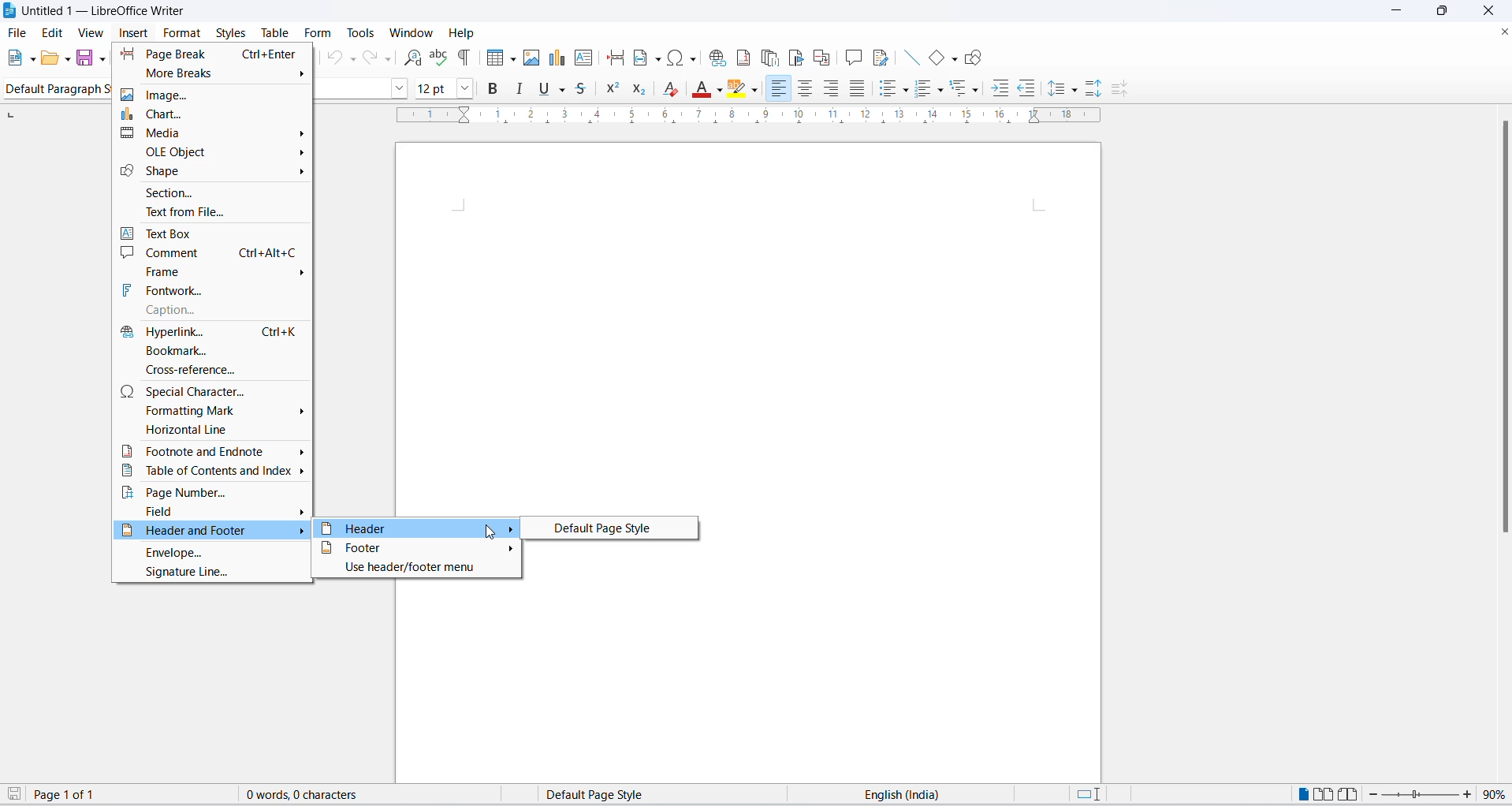  I want to click on decrease zoom, so click(1371, 795).